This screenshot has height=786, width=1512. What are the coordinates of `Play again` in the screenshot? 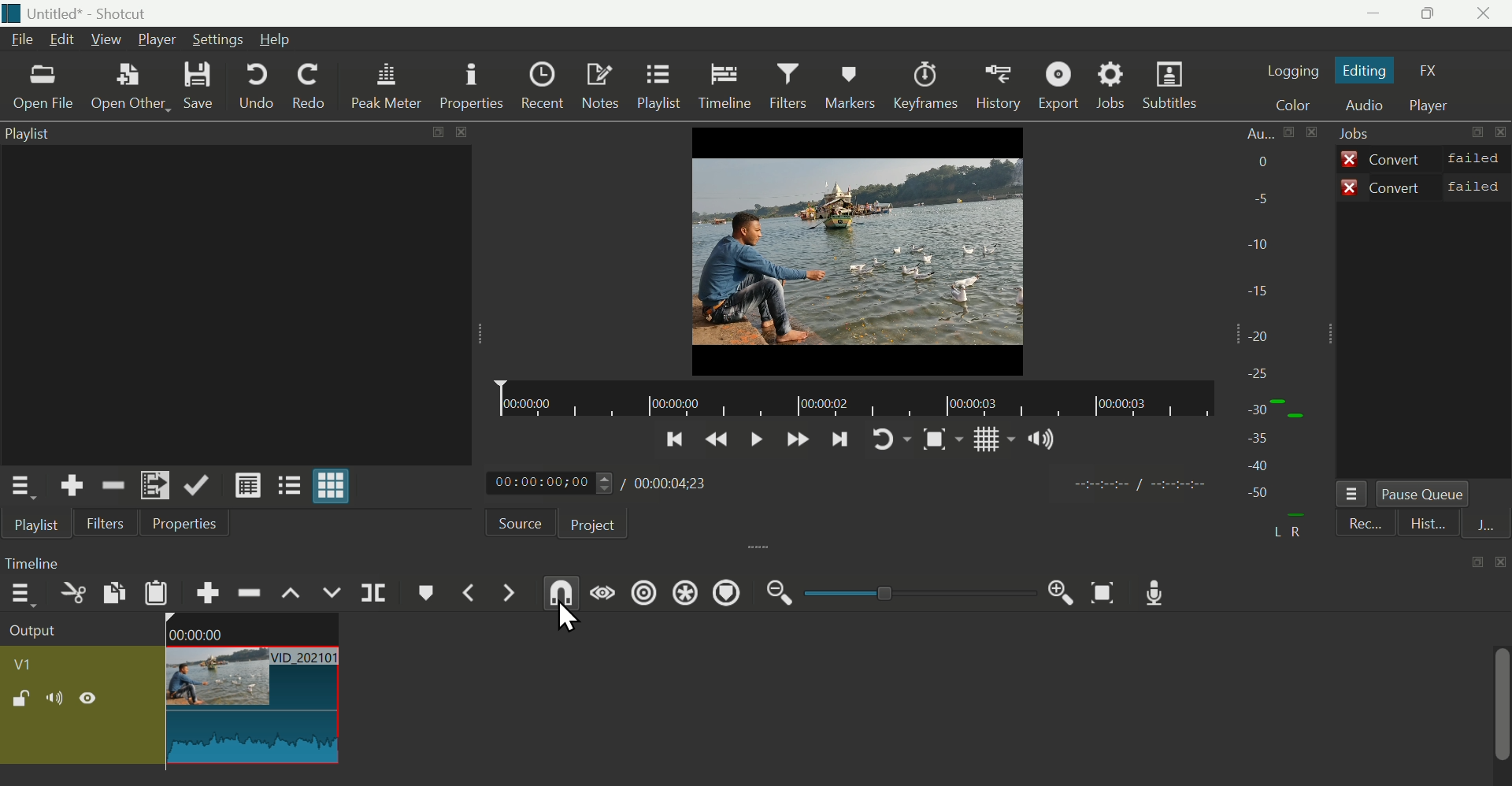 It's located at (893, 439).